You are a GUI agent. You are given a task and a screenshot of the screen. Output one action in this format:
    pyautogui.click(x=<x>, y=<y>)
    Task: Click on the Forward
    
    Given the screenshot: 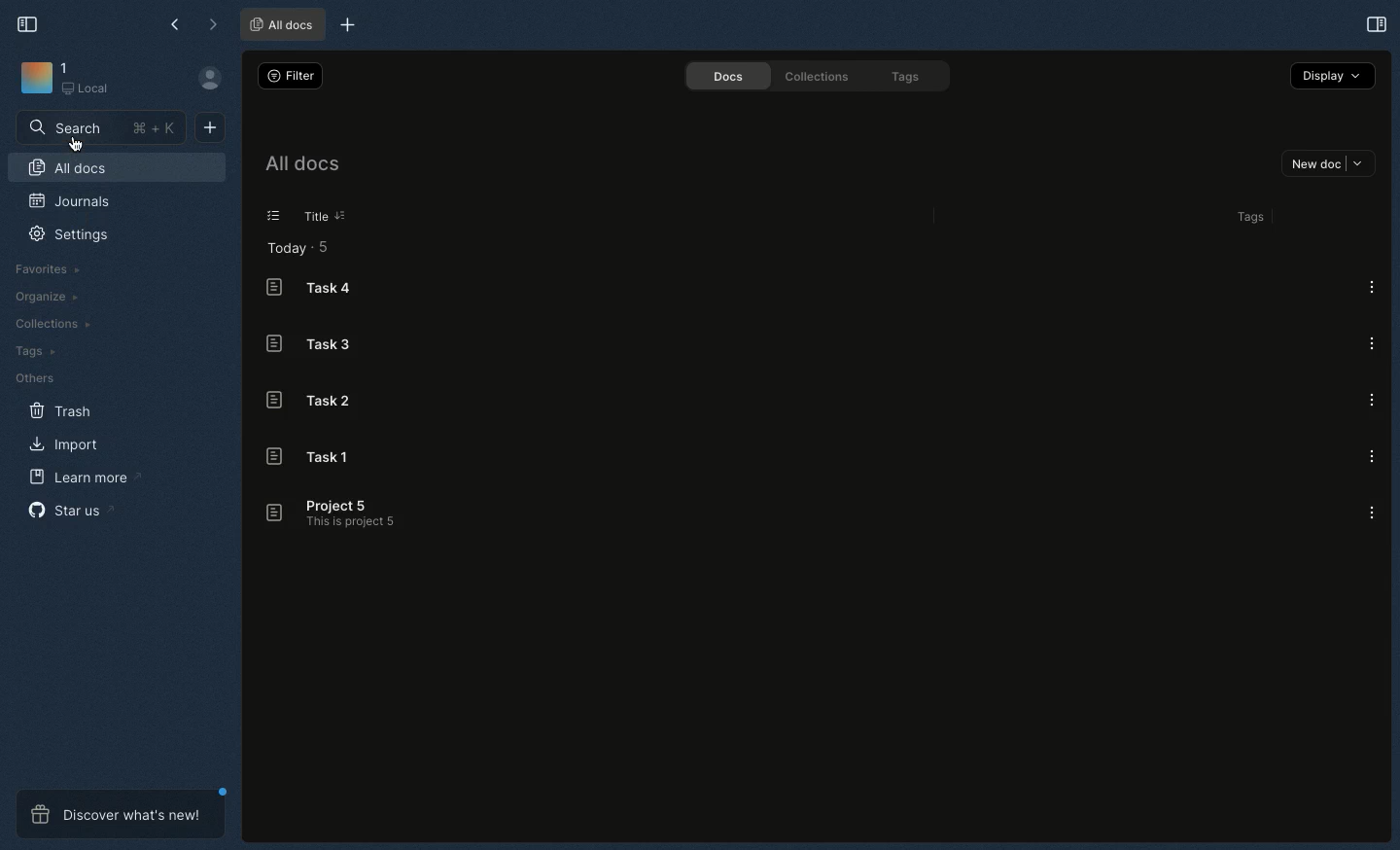 What is the action you would take?
    pyautogui.click(x=209, y=21)
    